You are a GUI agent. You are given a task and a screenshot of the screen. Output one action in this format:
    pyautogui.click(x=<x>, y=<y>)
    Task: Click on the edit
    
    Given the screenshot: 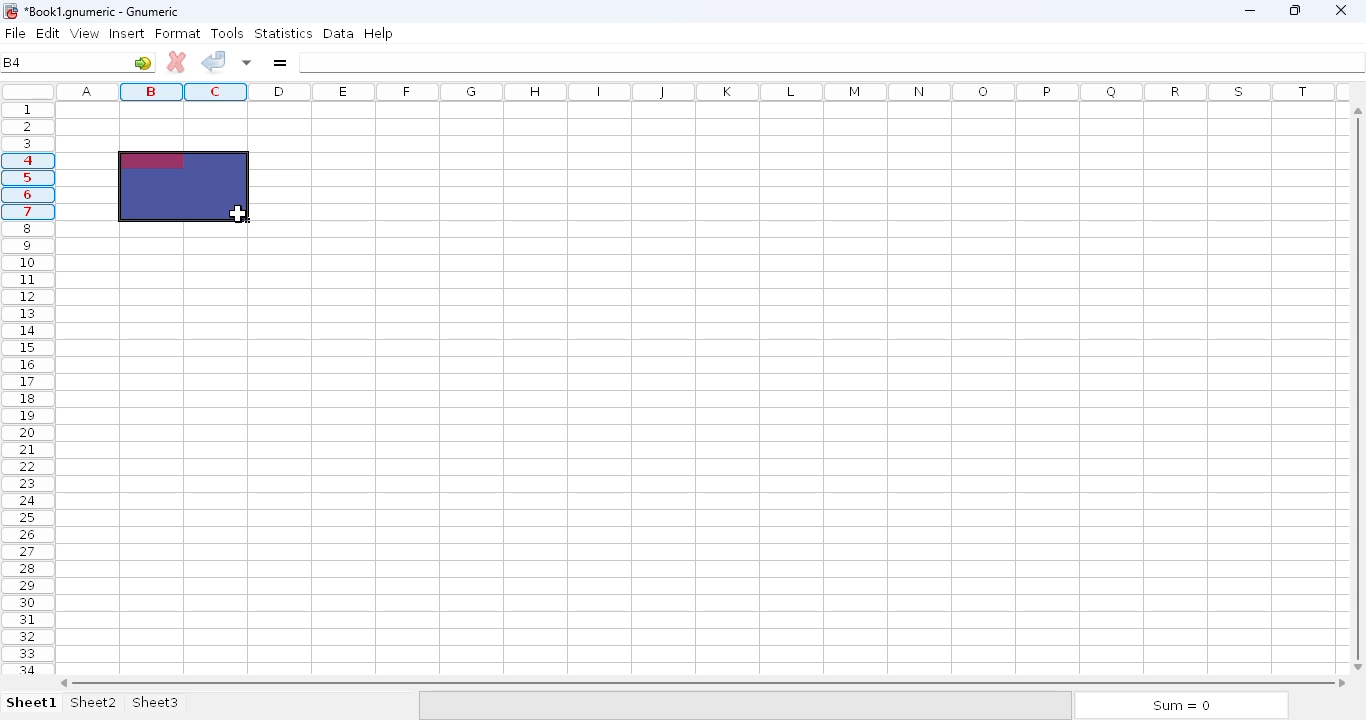 What is the action you would take?
    pyautogui.click(x=49, y=32)
    